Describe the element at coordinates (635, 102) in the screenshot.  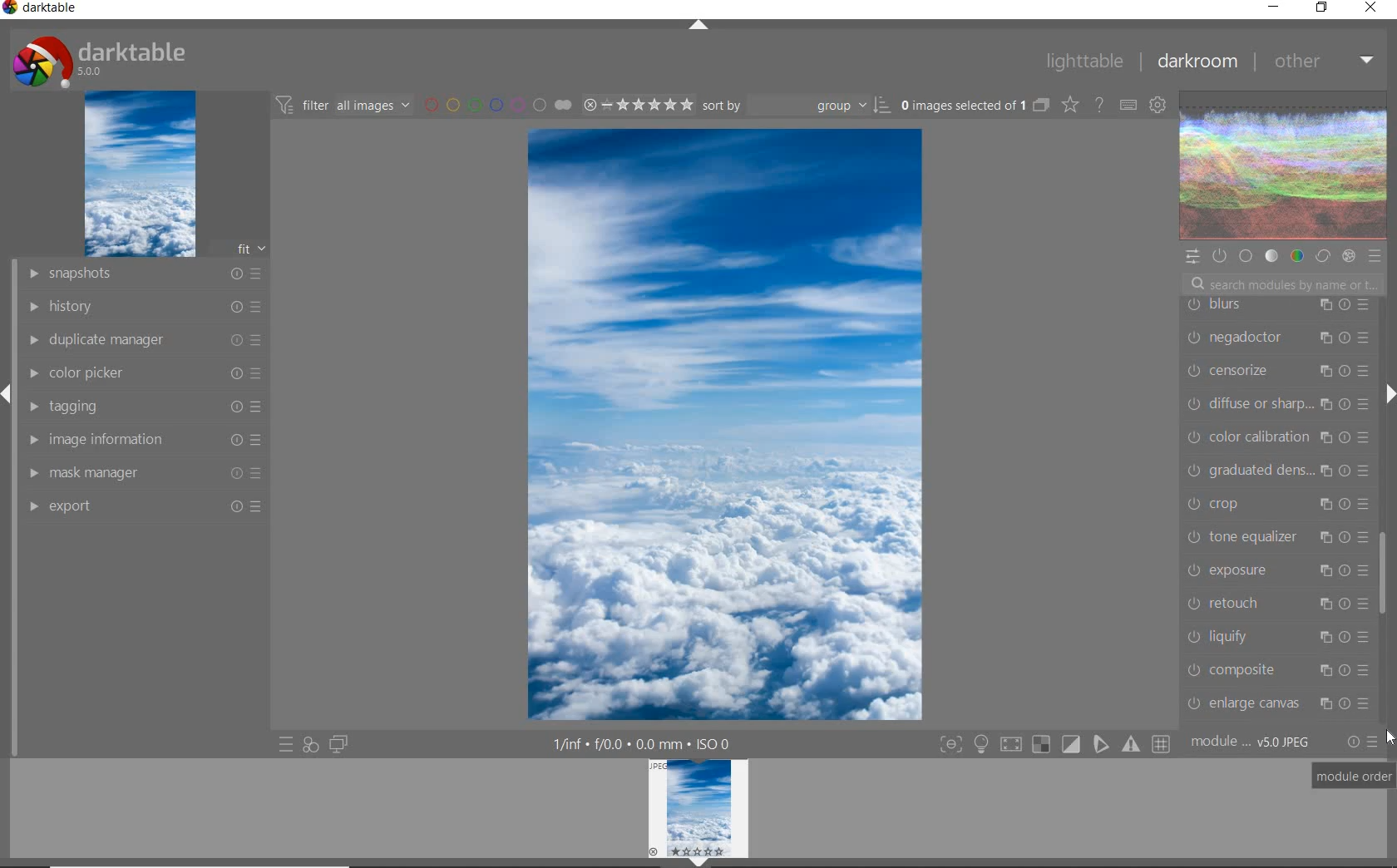
I see `SELECTED IMAGE RANGE RATING` at that location.